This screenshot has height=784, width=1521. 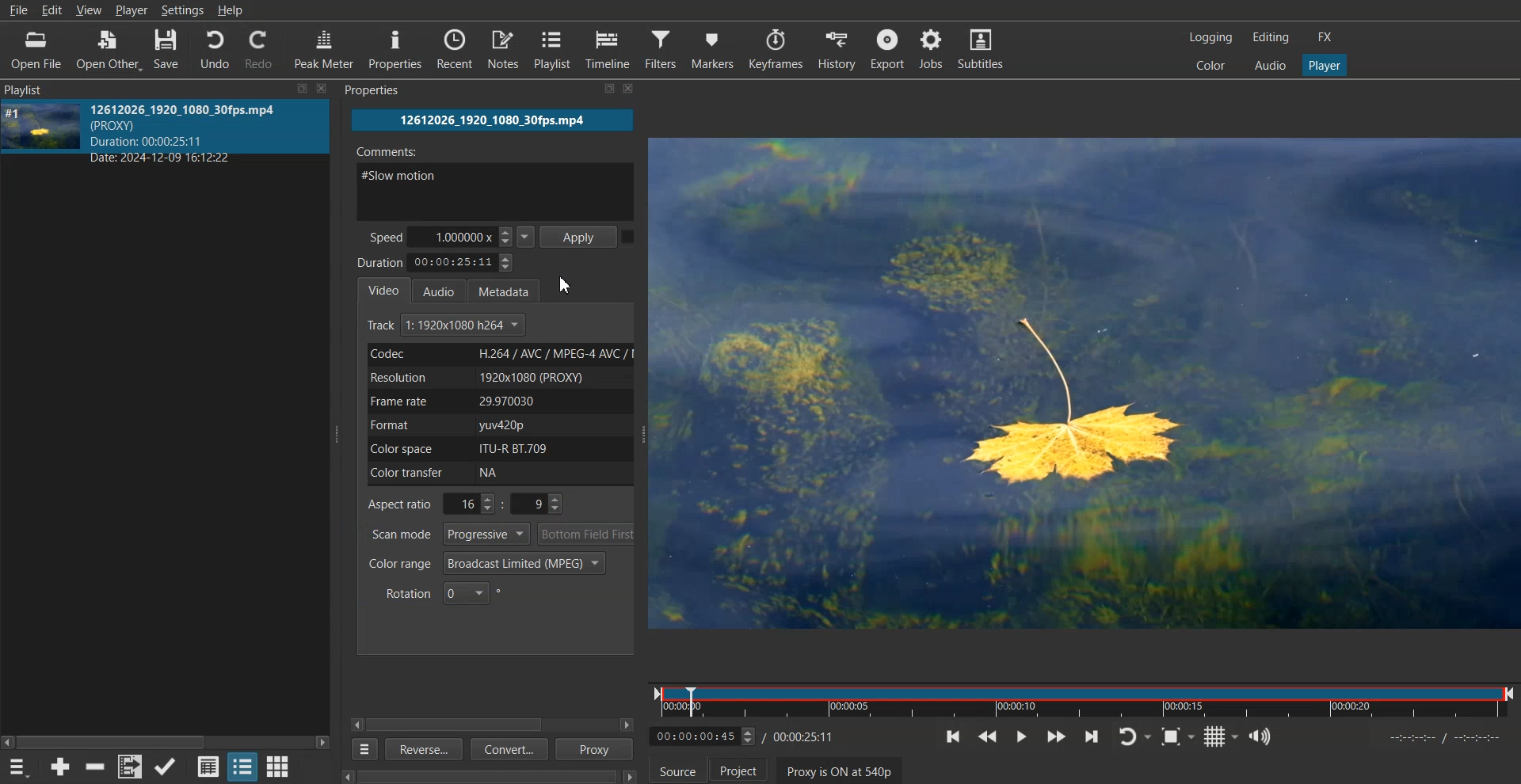 What do you see at coordinates (1268, 65) in the screenshot?
I see `Audio` at bounding box center [1268, 65].